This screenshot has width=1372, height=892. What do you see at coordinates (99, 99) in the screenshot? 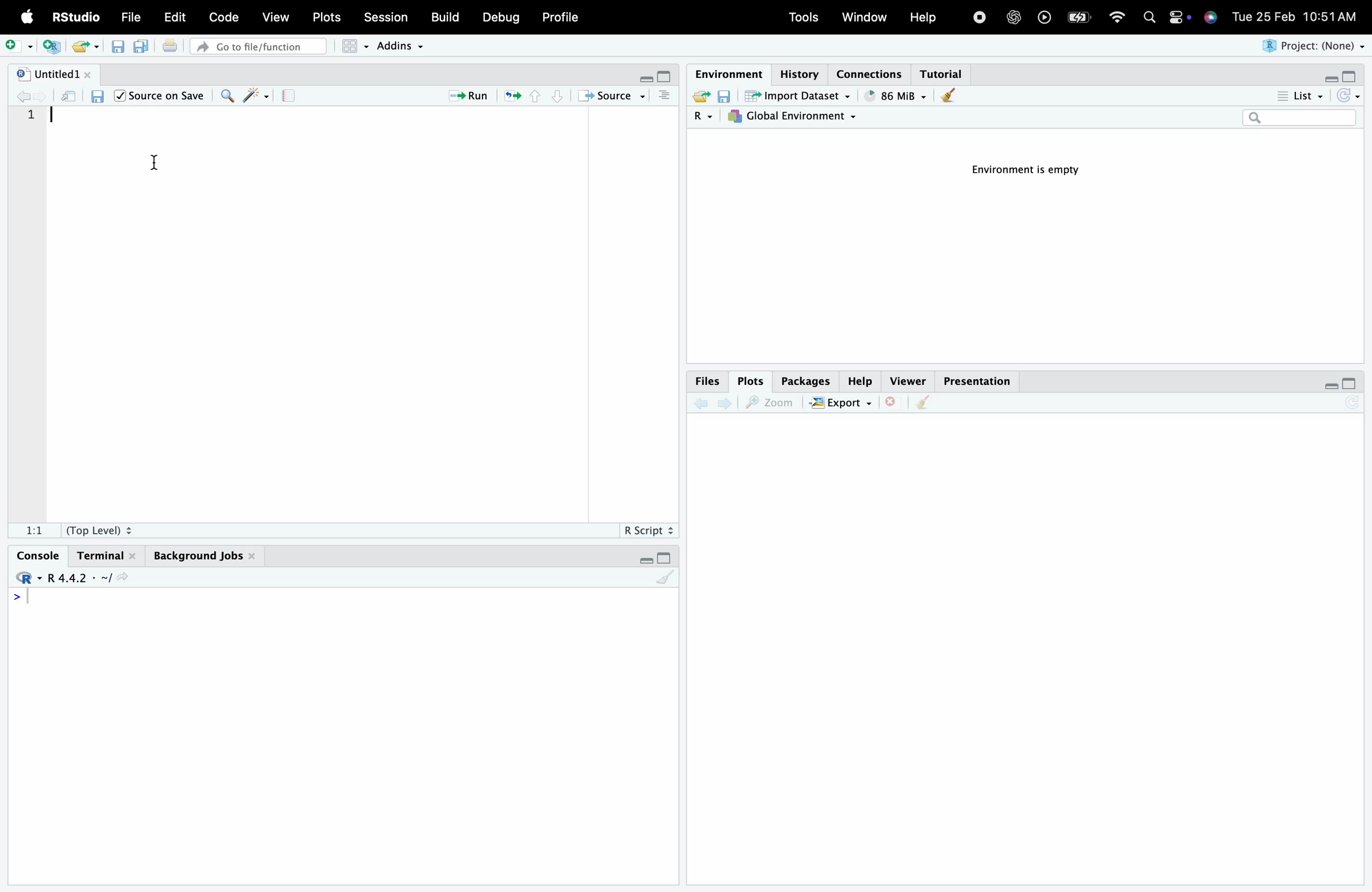
I see `save script` at bounding box center [99, 99].